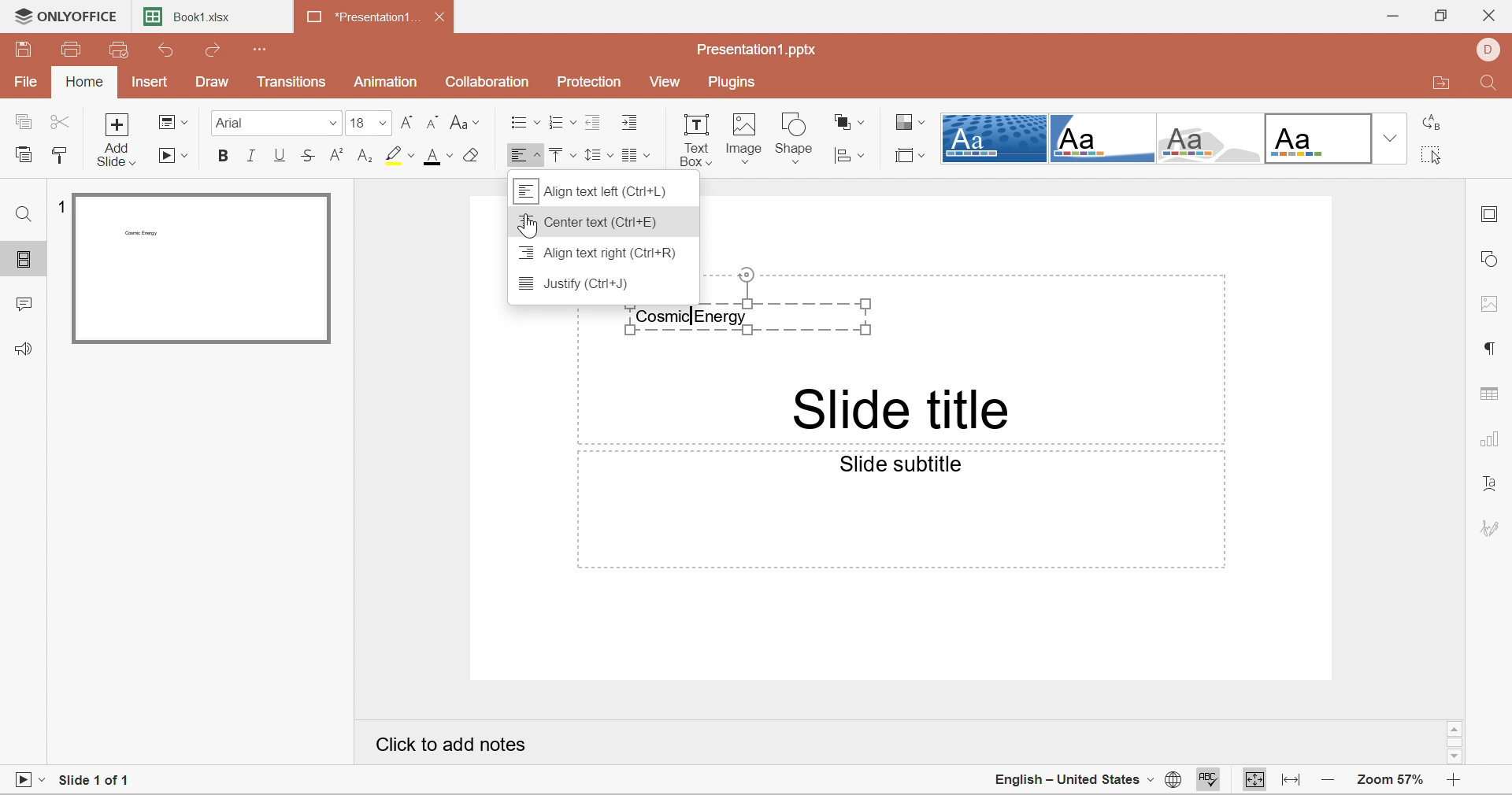 The image size is (1512, 795). Describe the element at coordinates (591, 121) in the screenshot. I see `Decrease Indent` at that location.